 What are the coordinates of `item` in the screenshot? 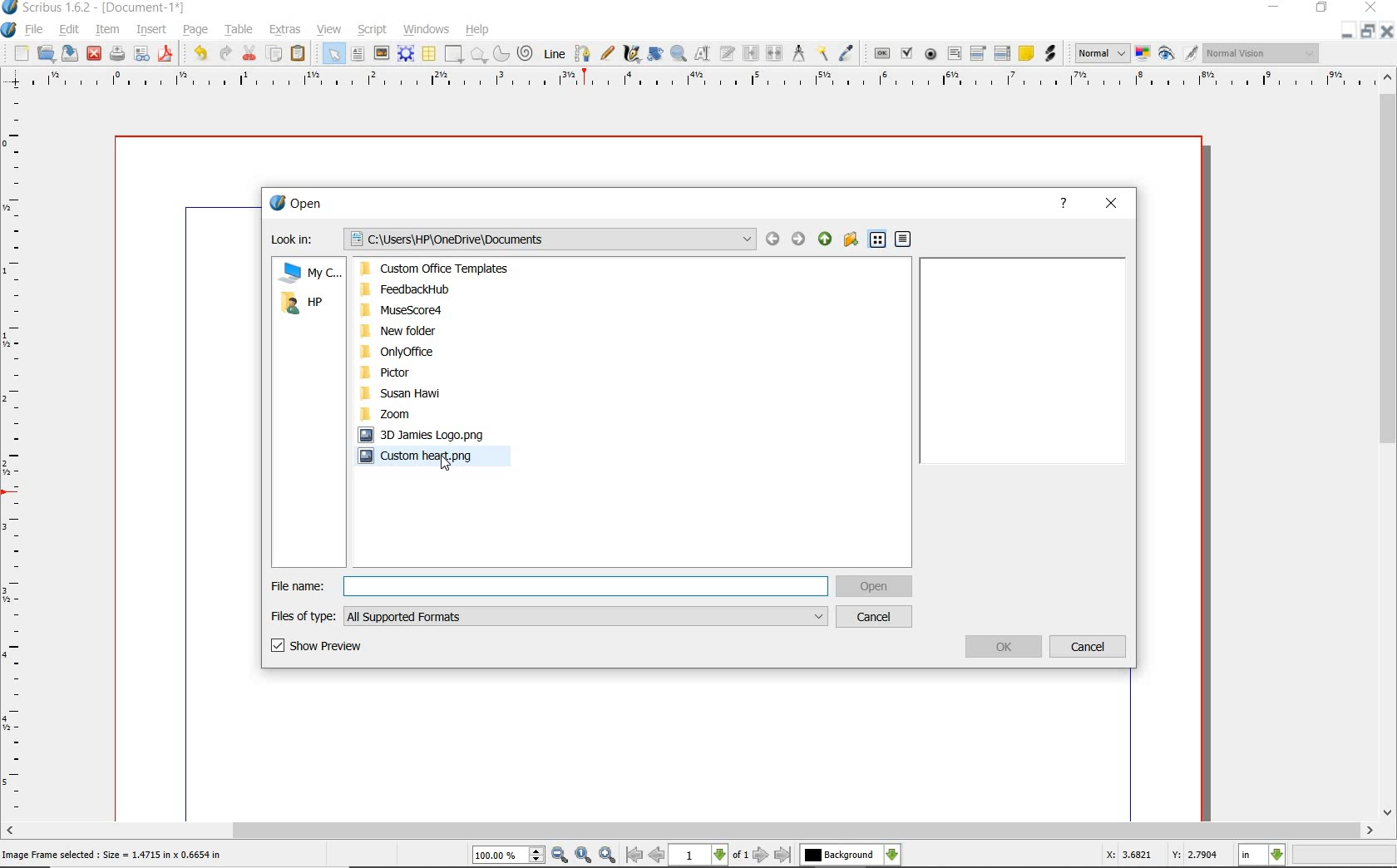 It's located at (106, 30).